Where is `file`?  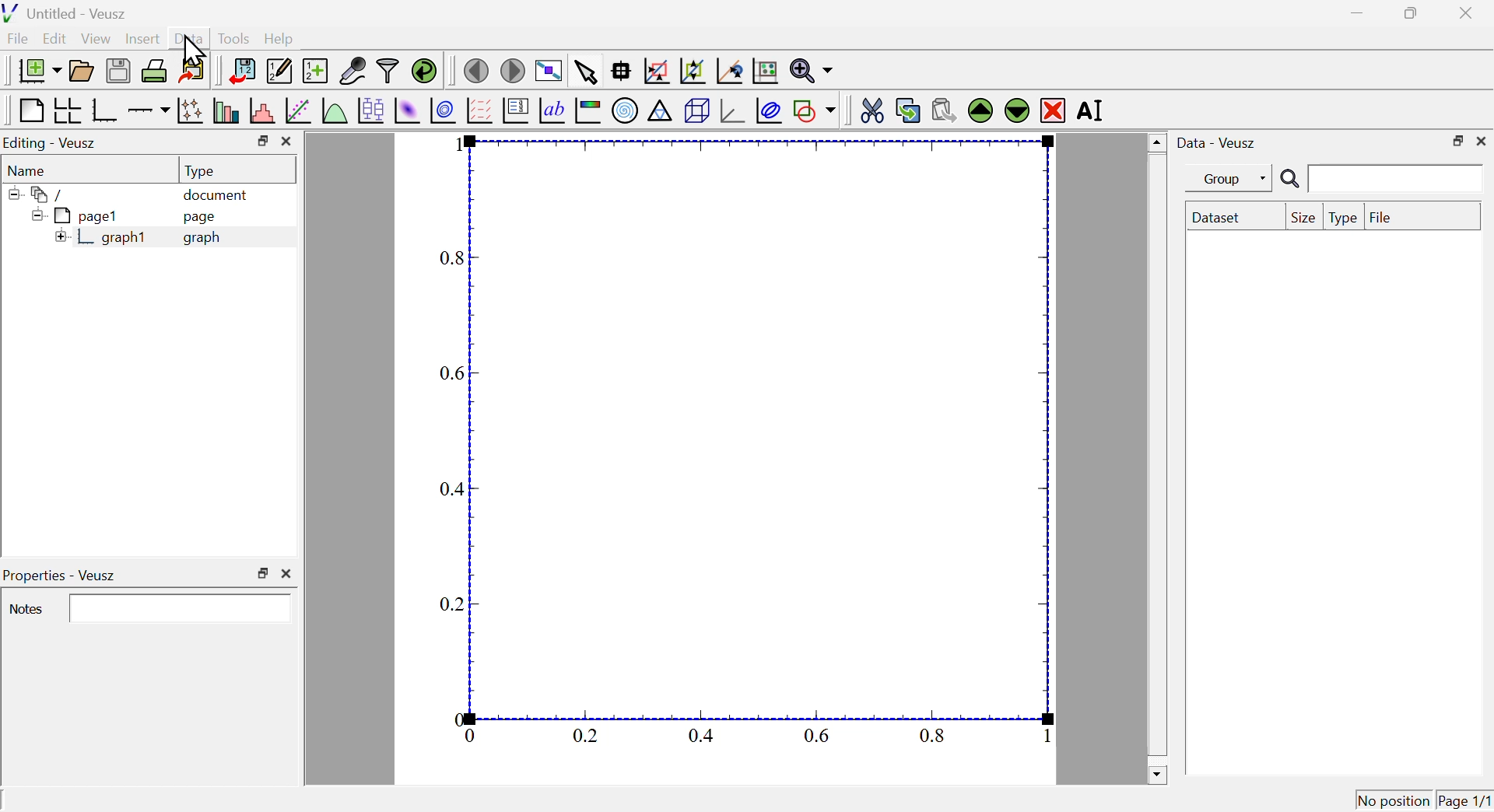
file is located at coordinates (19, 40).